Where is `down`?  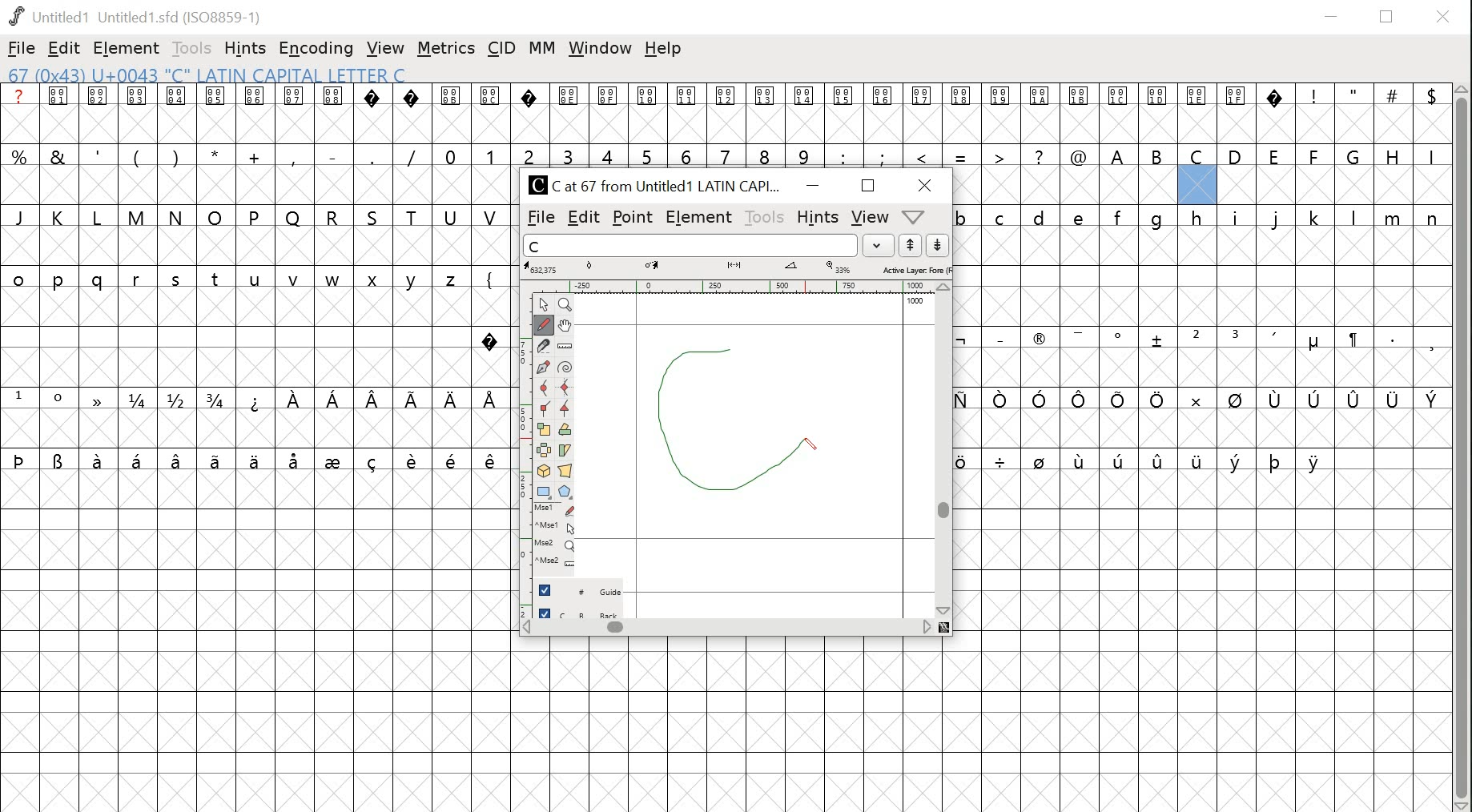
down is located at coordinates (939, 245).